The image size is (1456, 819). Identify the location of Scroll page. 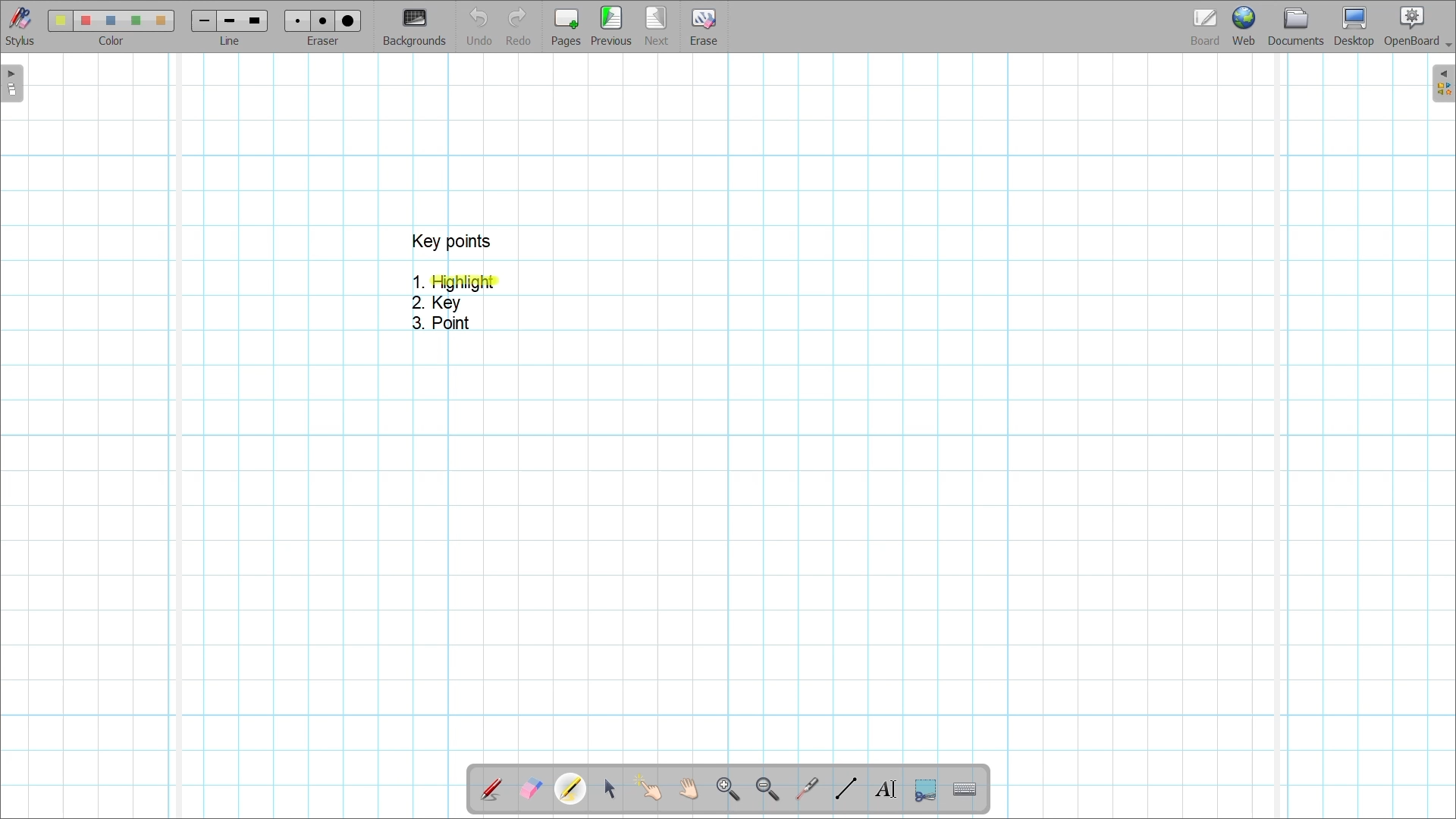
(688, 789).